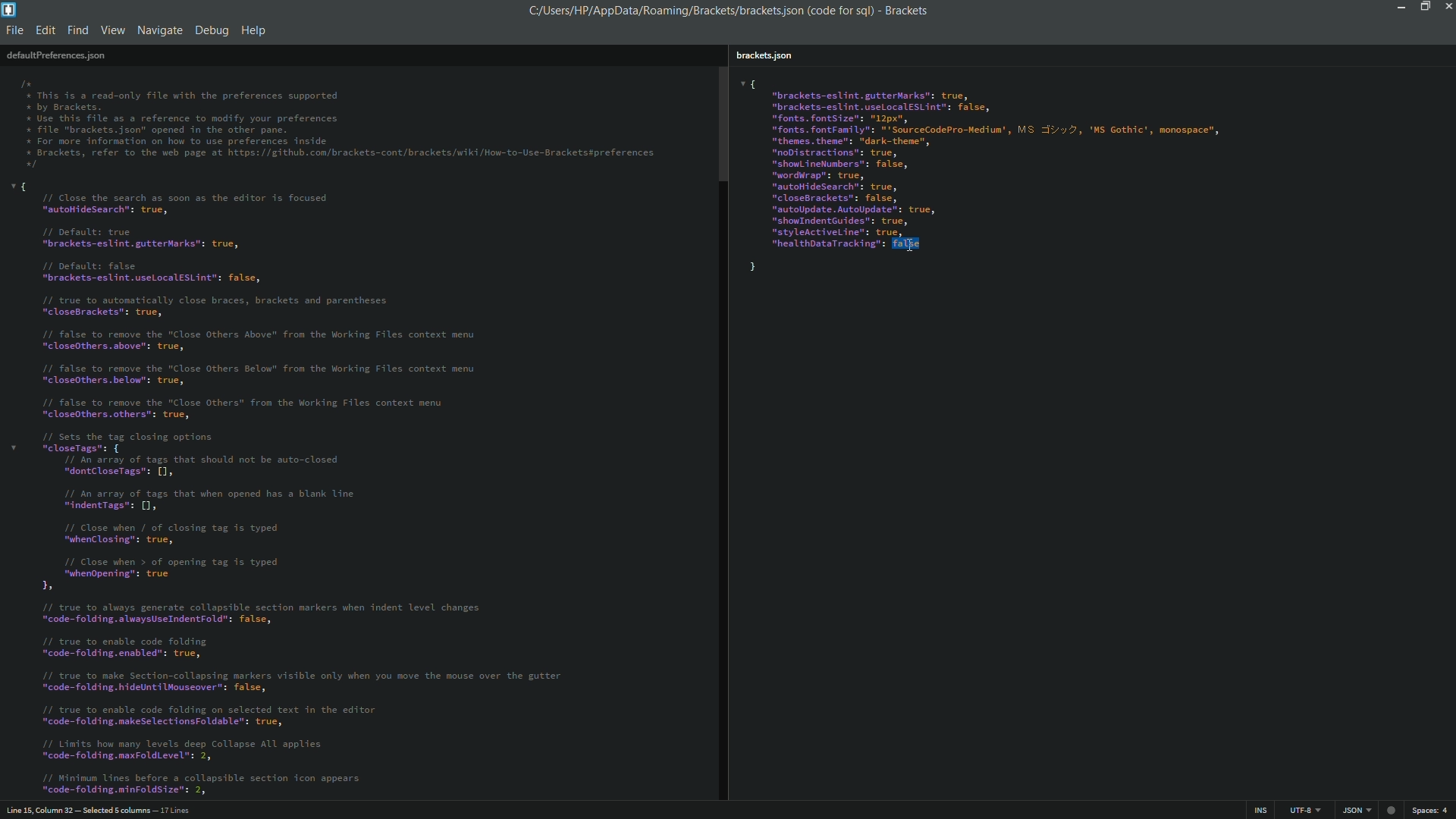 This screenshot has height=819, width=1456. I want to click on Navigate menu, so click(160, 30).